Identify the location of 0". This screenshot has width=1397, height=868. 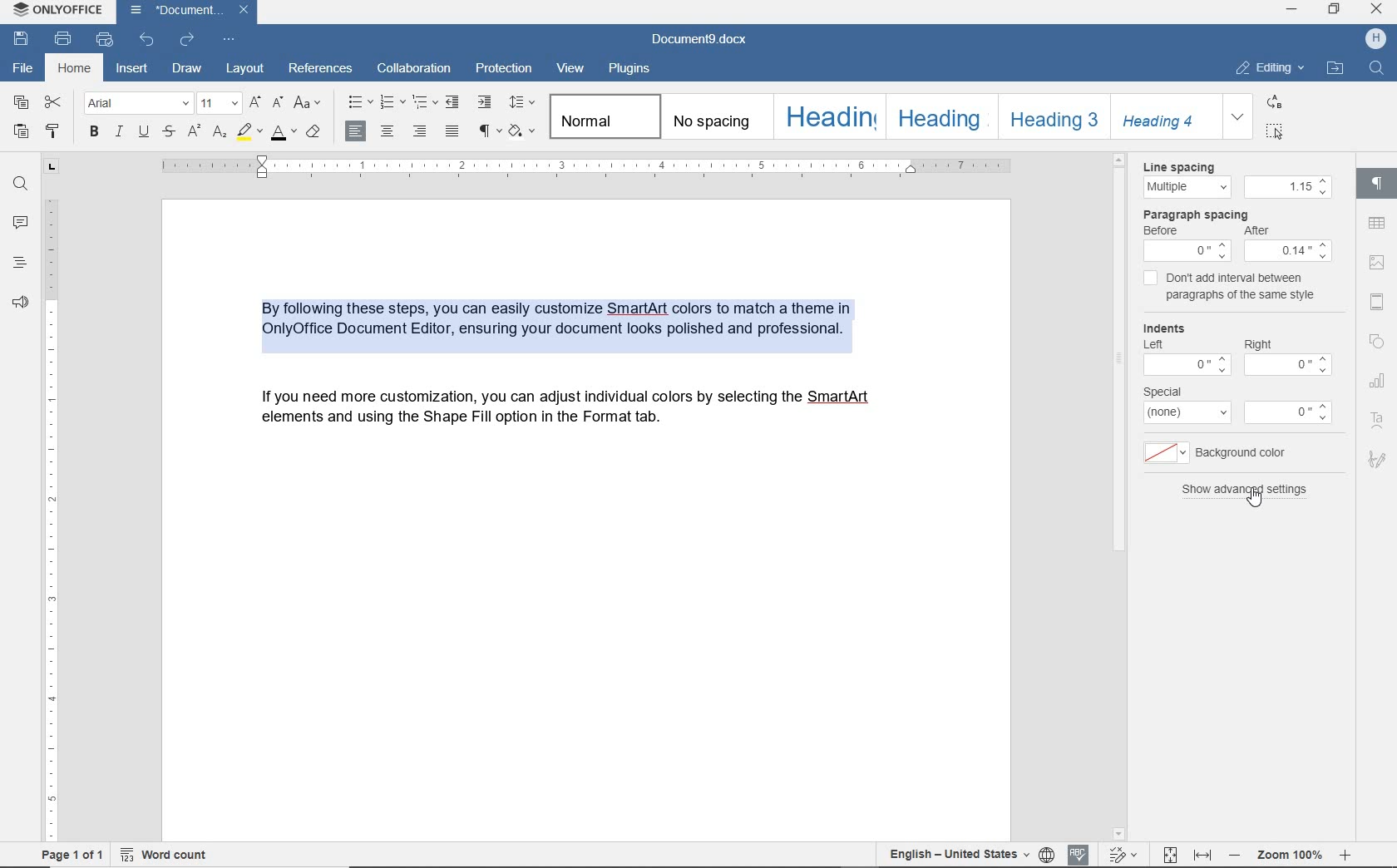
(1182, 367).